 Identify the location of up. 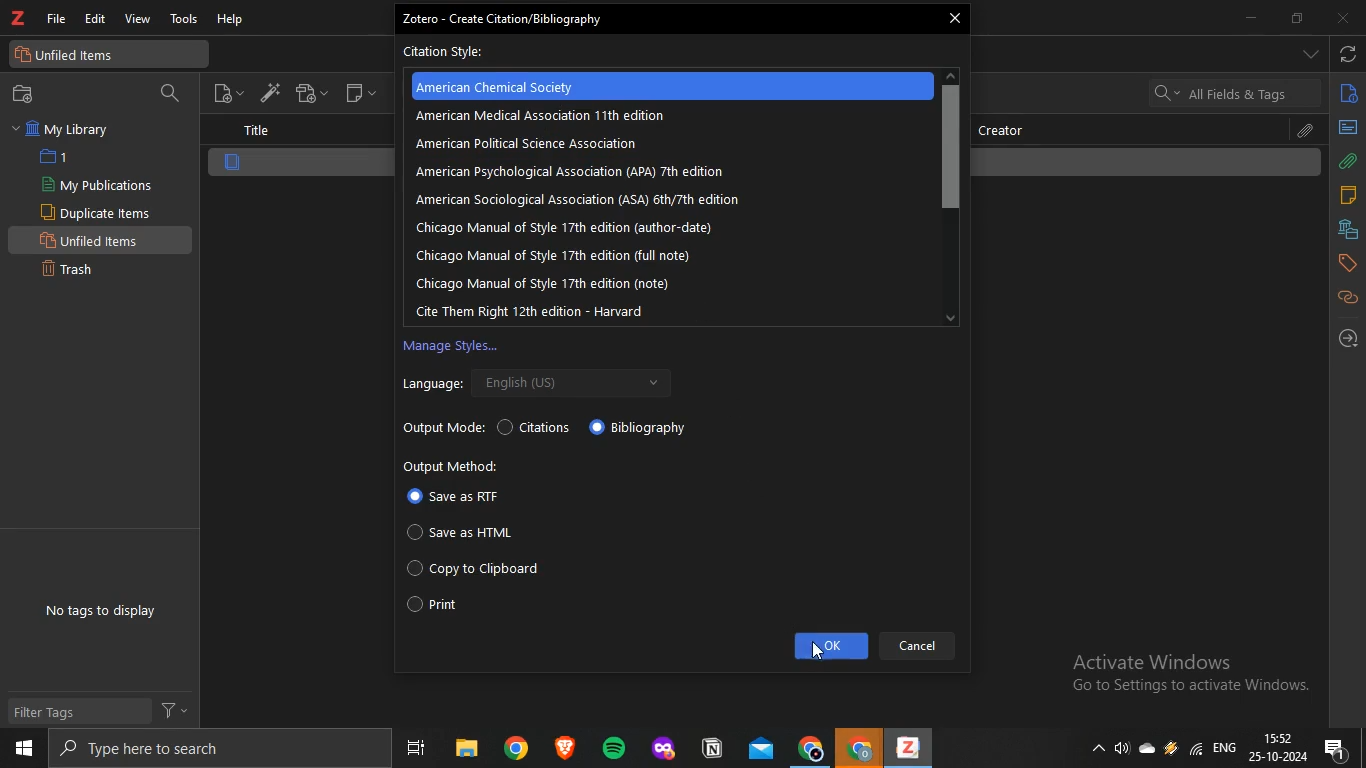
(952, 73).